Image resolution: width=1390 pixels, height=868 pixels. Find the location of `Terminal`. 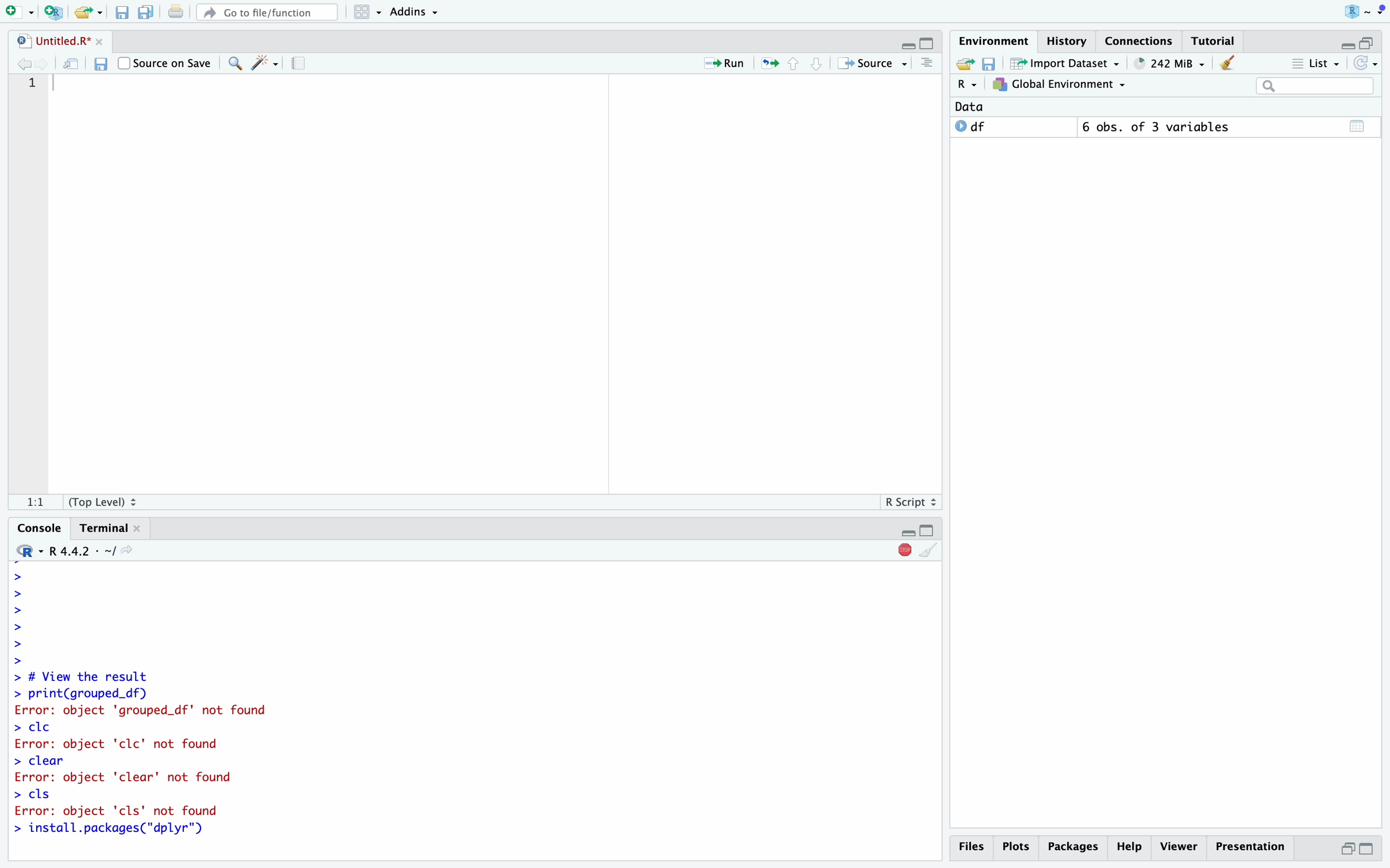

Terminal is located at coordinates (110, 529).